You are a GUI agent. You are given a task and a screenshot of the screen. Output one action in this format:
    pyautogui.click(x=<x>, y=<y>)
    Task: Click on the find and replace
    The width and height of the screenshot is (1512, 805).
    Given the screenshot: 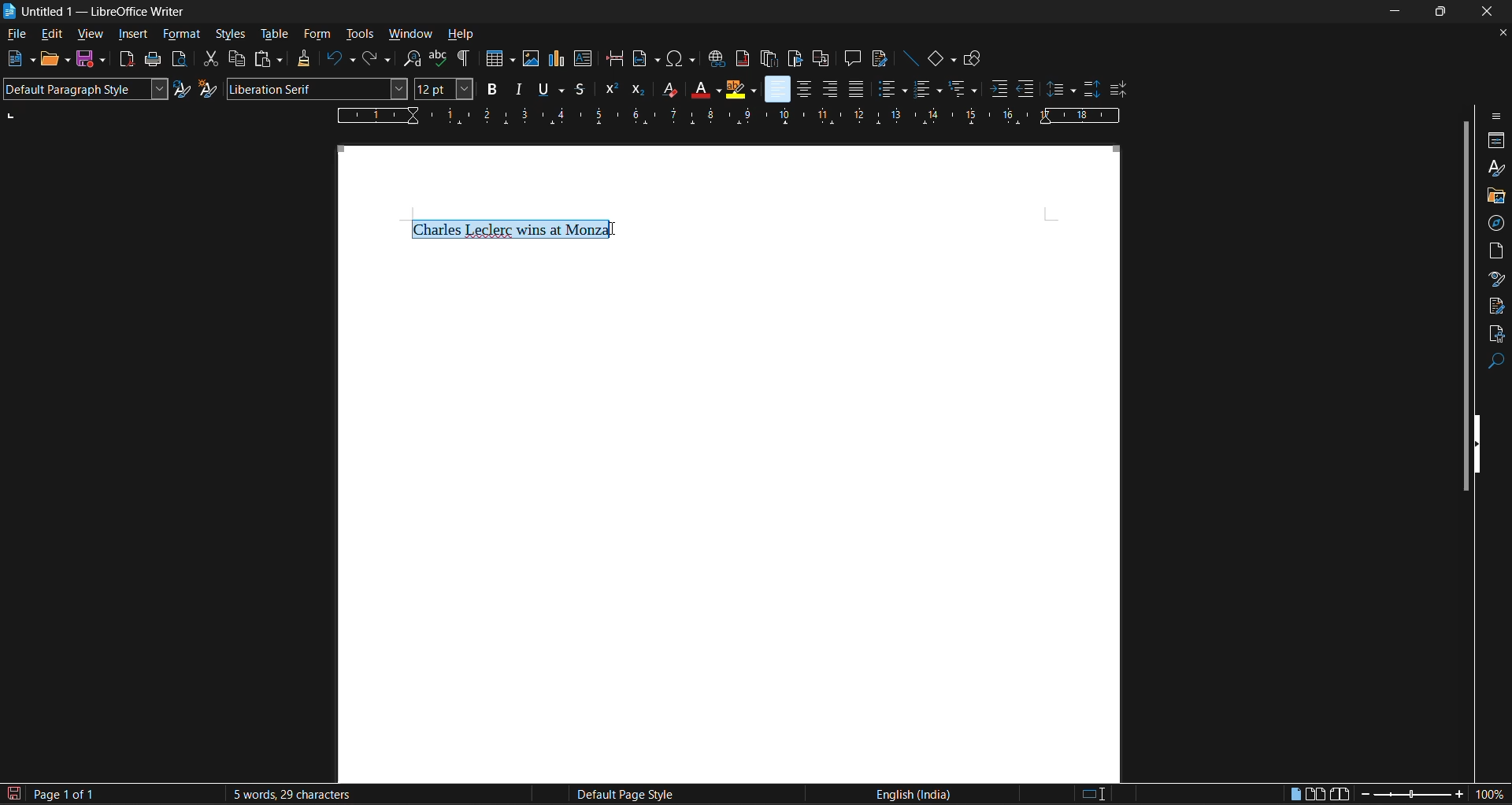 What is the action you would take?
    pyautogui.click(x=409, y=58)
    